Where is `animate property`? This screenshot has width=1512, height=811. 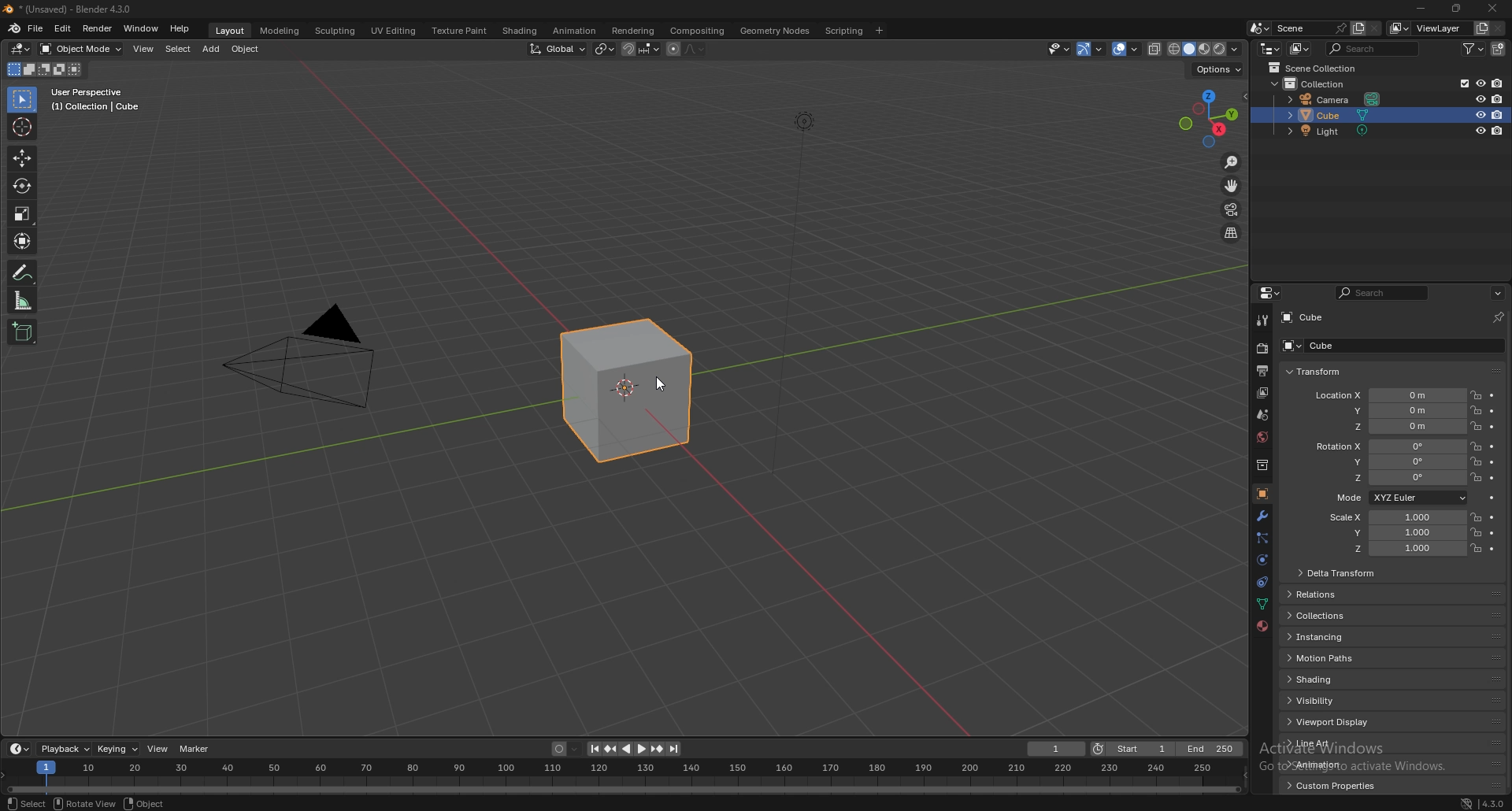 animate property is located at coordinates (1493, 462).